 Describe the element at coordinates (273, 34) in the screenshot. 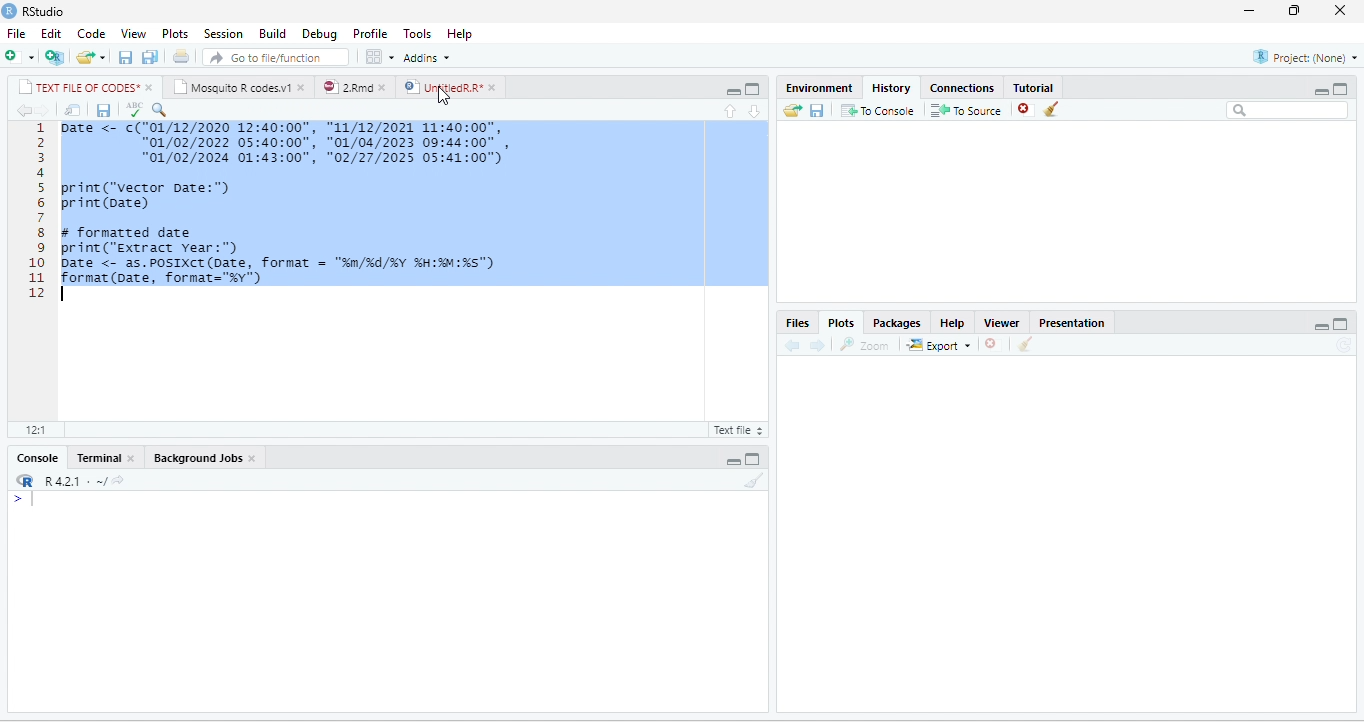

I see `Build` at that location.